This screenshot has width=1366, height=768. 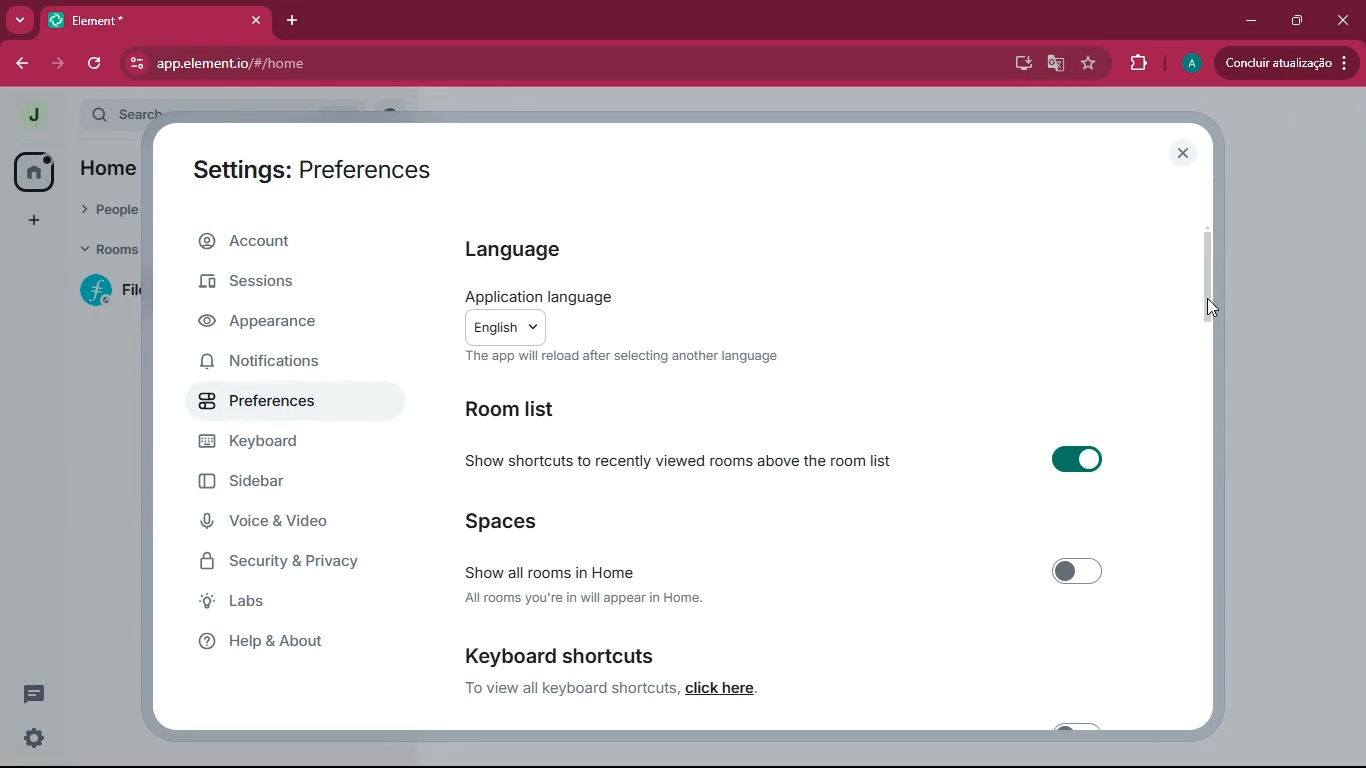 What do you see at coordinates (1284, 64) in the screenshot?
I see `conduir atualizacao` at bounding box center [1284, 64].